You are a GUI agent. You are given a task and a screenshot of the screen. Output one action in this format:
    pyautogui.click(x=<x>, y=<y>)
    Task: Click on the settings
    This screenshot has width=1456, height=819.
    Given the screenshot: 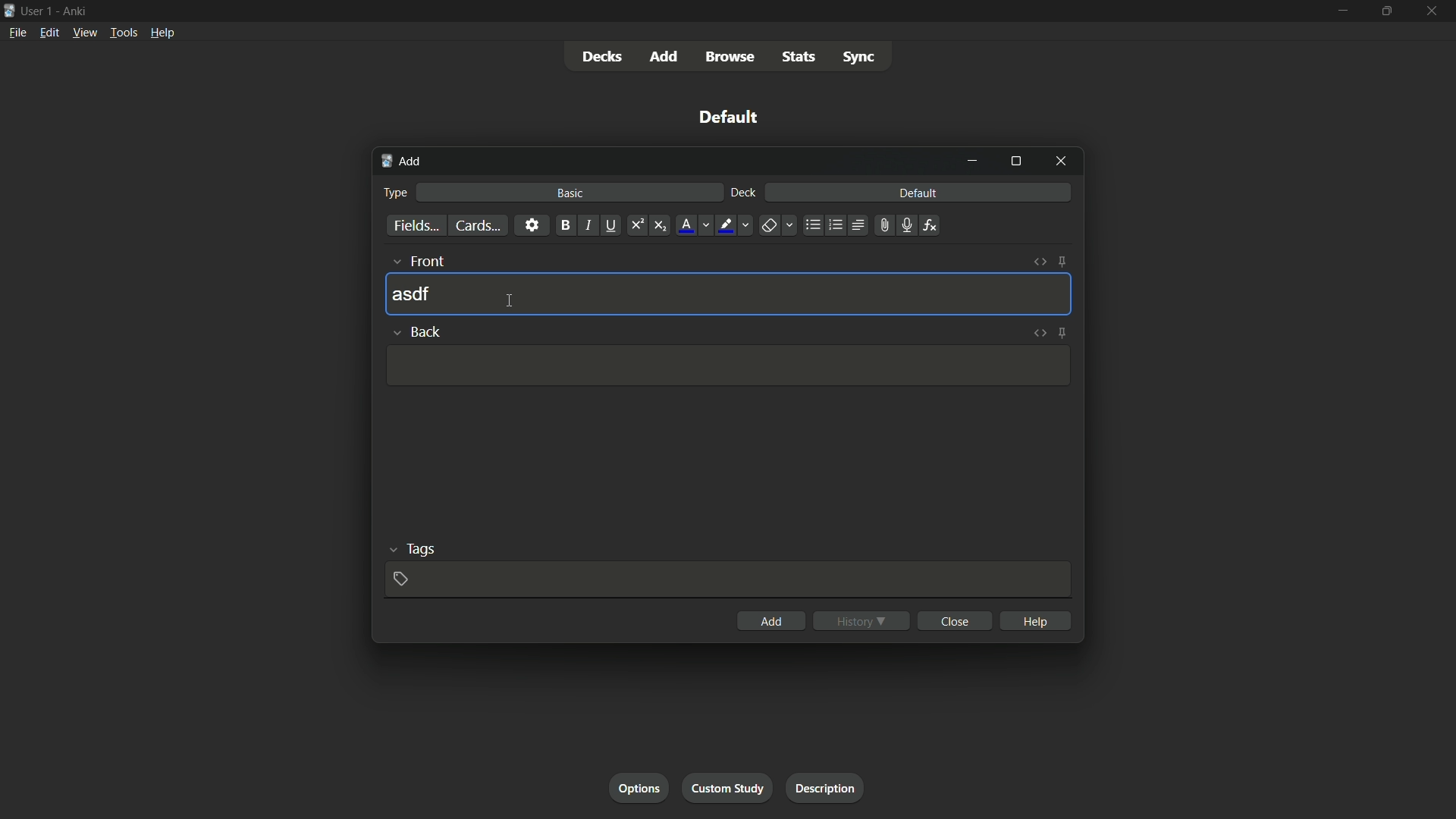 What is the action you would take?
    pyautogui.click(x=532, y=225)
    